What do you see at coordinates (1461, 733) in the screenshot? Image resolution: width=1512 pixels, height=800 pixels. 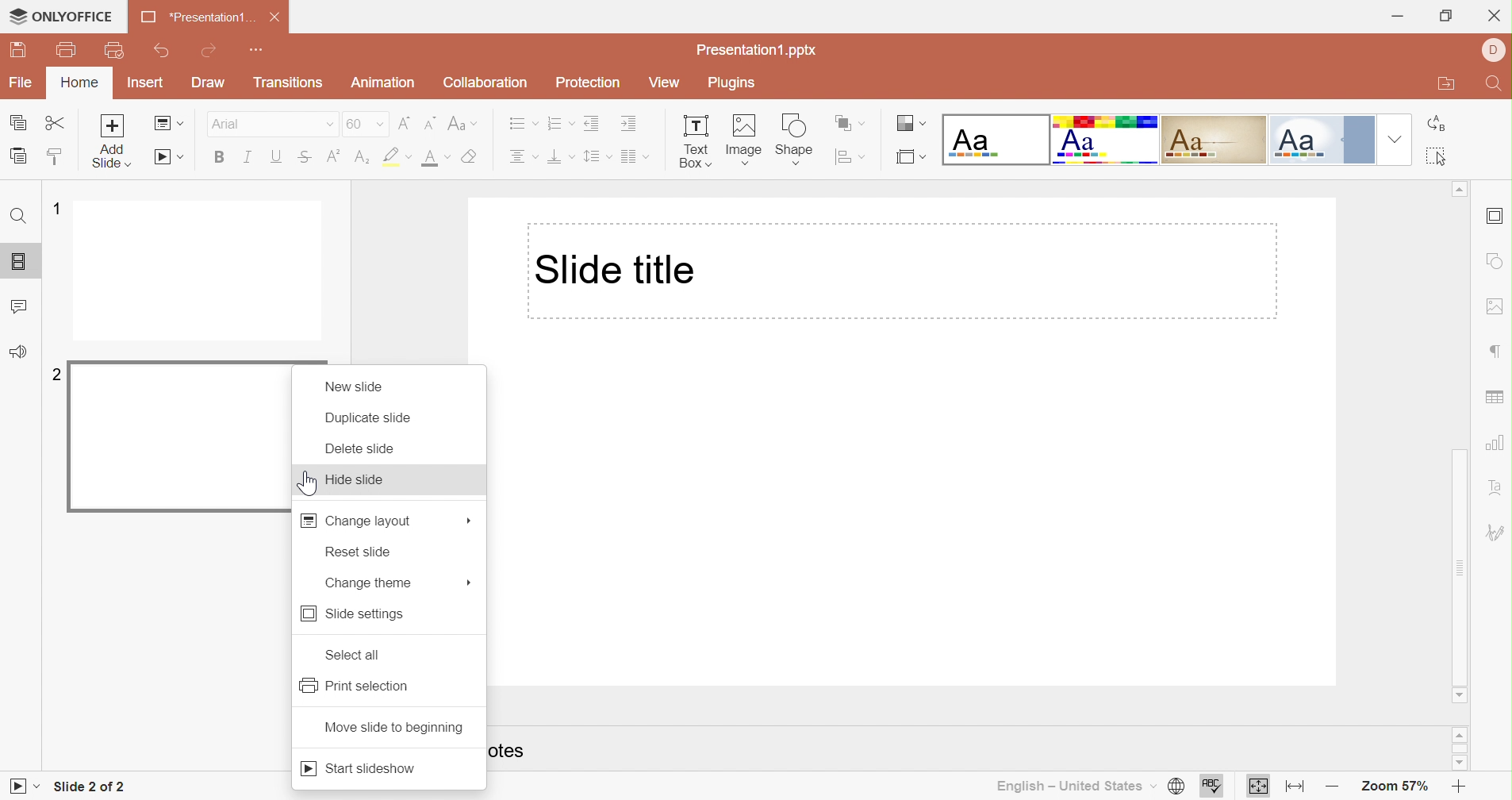 I see `Scroll Up` at bounding box center [1461, 733].